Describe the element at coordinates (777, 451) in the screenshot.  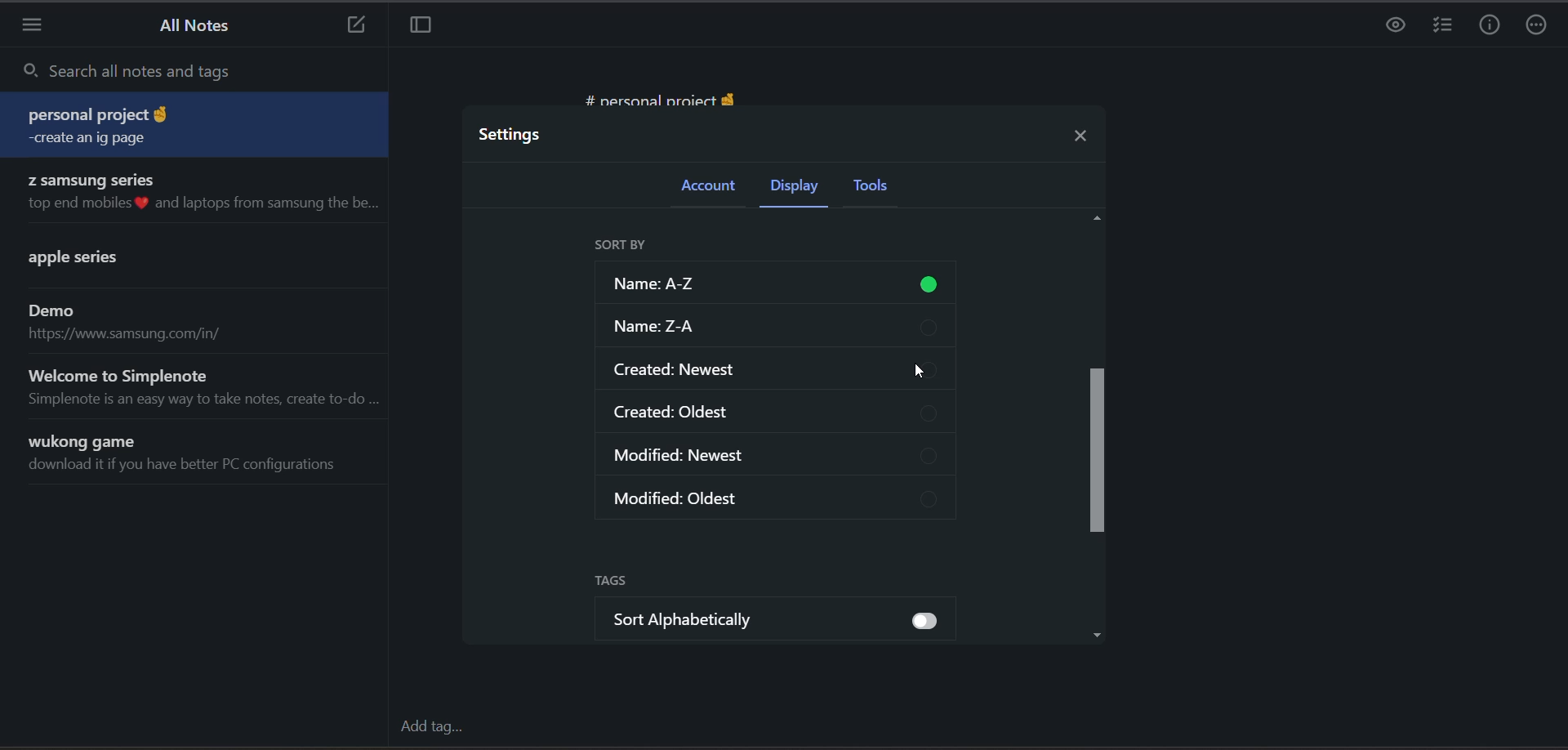
I see `modified newest` at that location.